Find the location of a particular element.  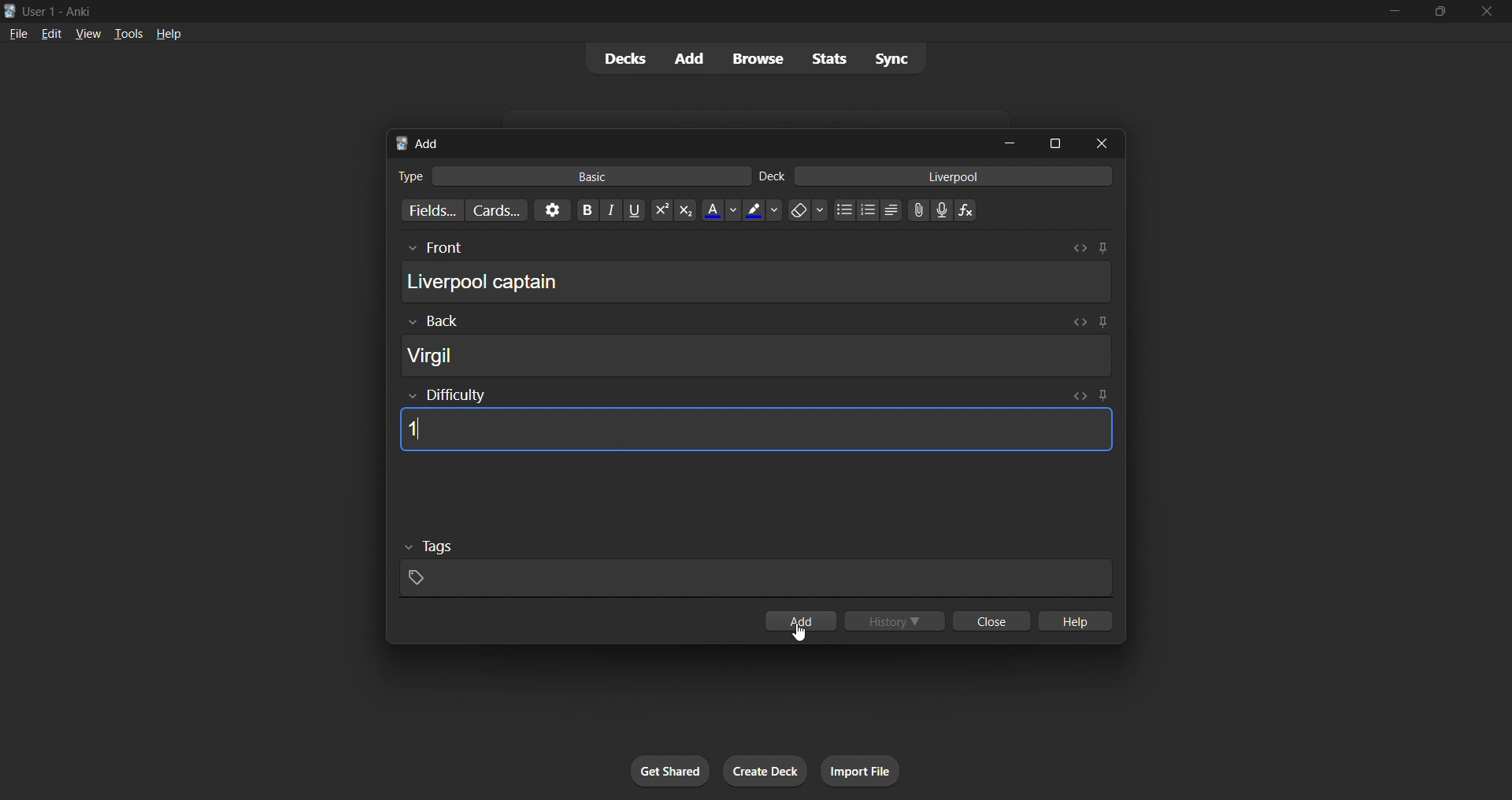

file is located at coordinates (18, 32).